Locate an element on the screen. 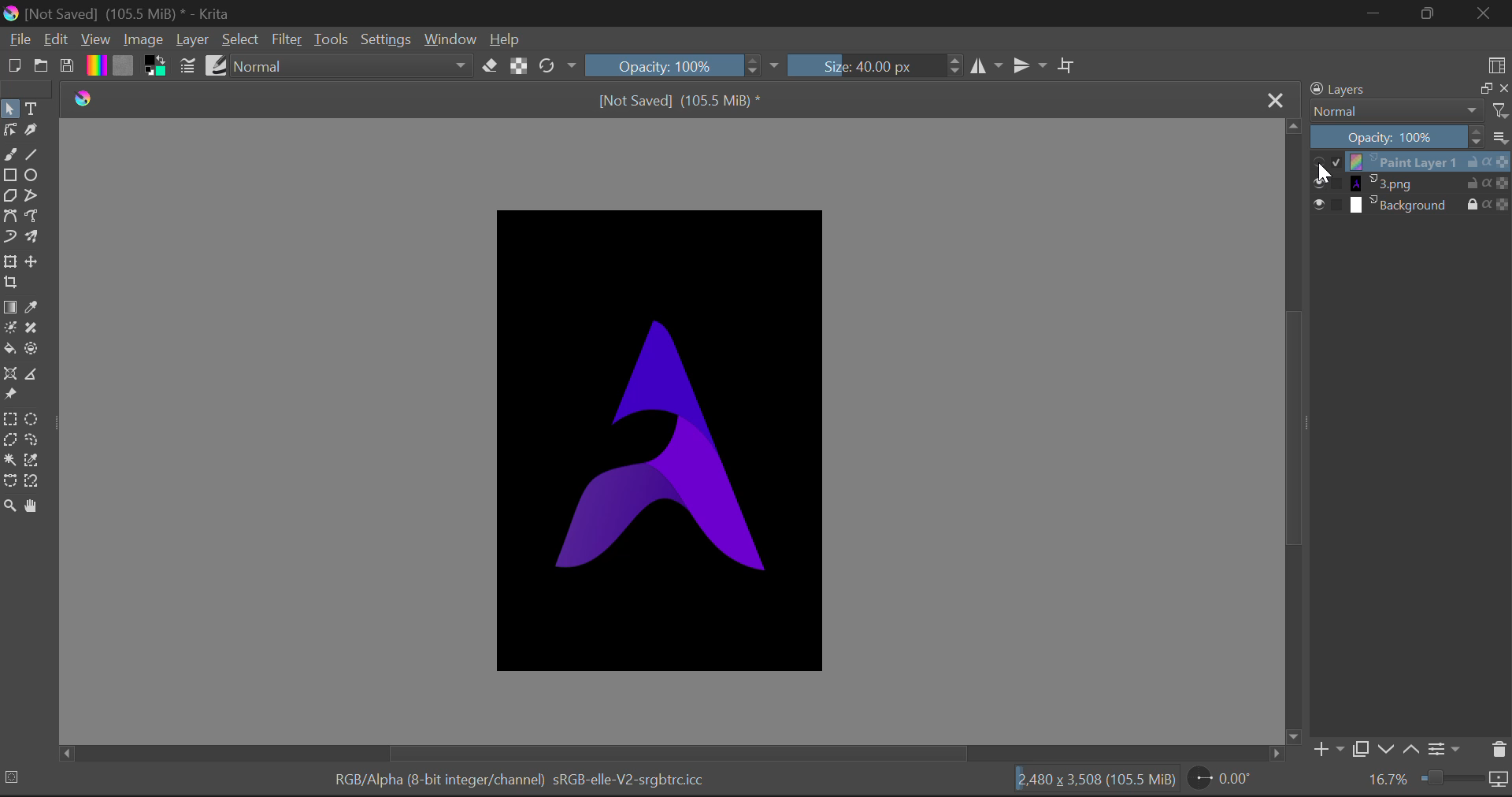  Fill is located at coordinates (10, 350).